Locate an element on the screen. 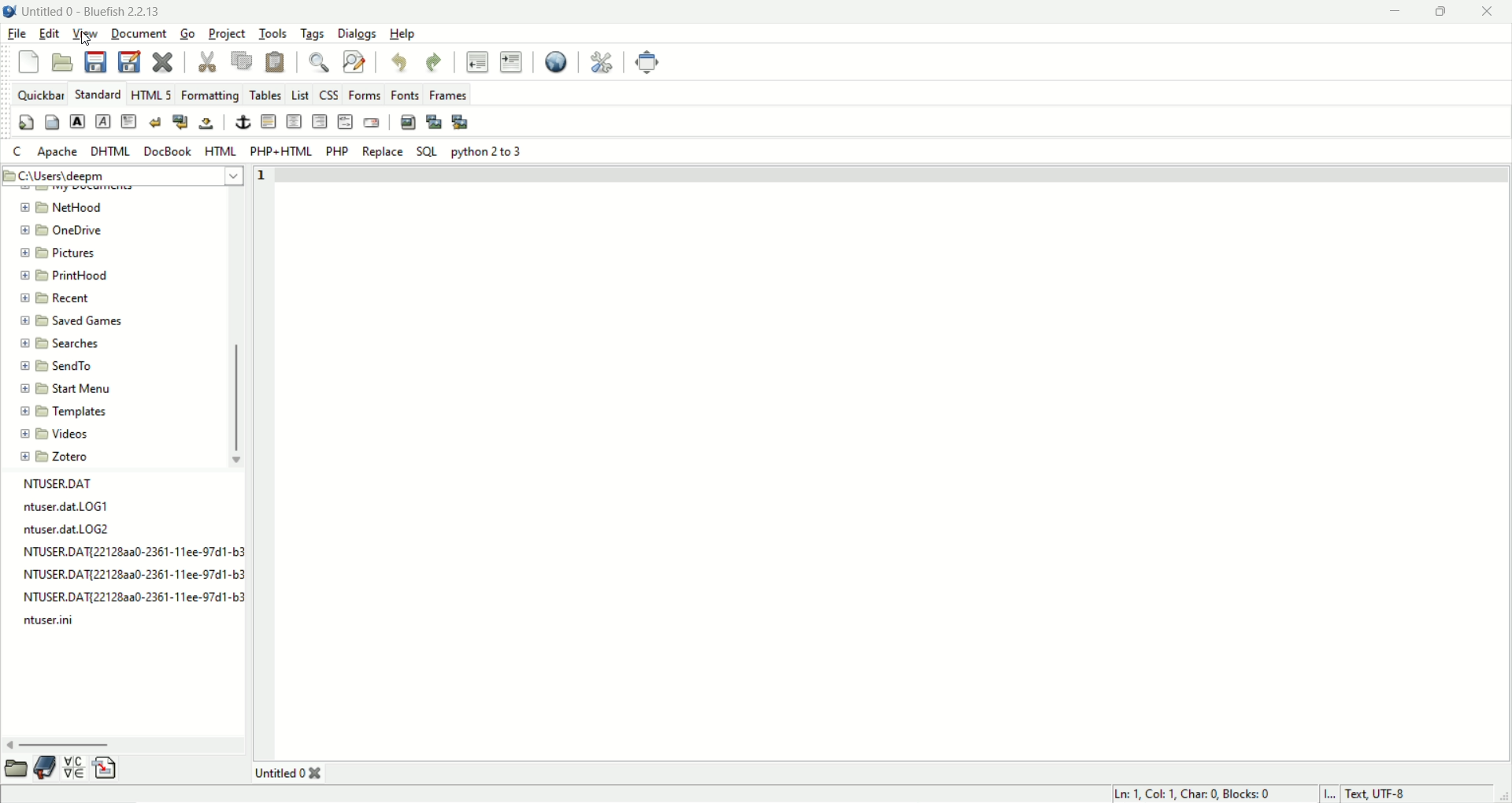 Image resolution: width=1512 pixels, height=803 pixels. send menu is located at coordinates (61, 368).